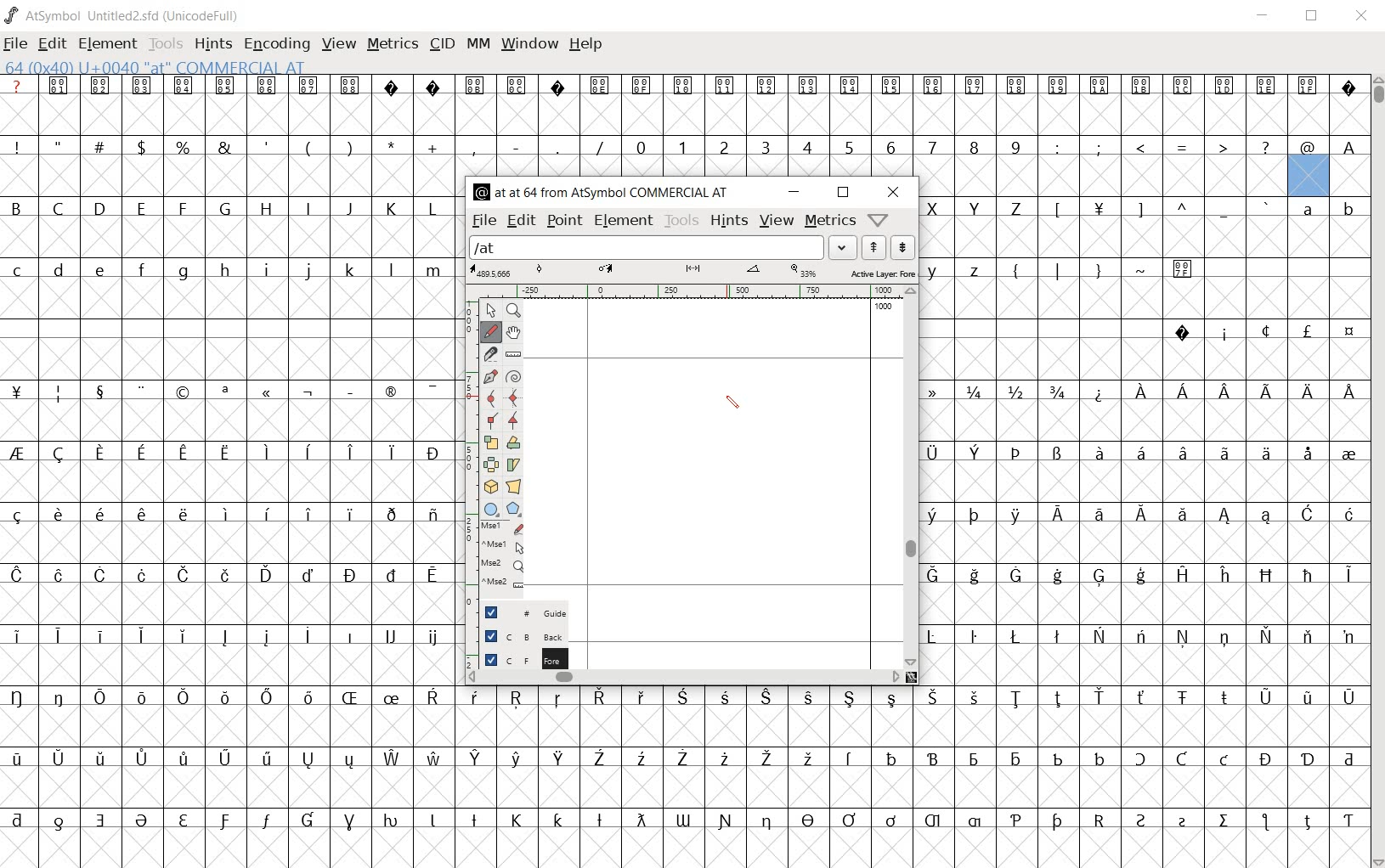  I want to click on hints, so click(729, 221).